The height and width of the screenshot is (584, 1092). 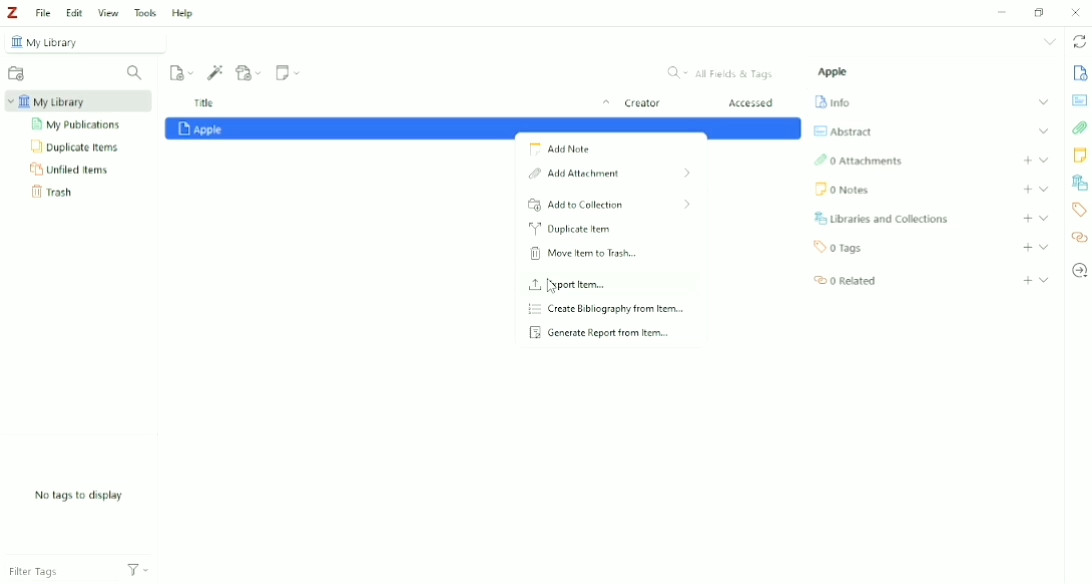 I want to click on Add to Collection, so click(x=611, y=205).